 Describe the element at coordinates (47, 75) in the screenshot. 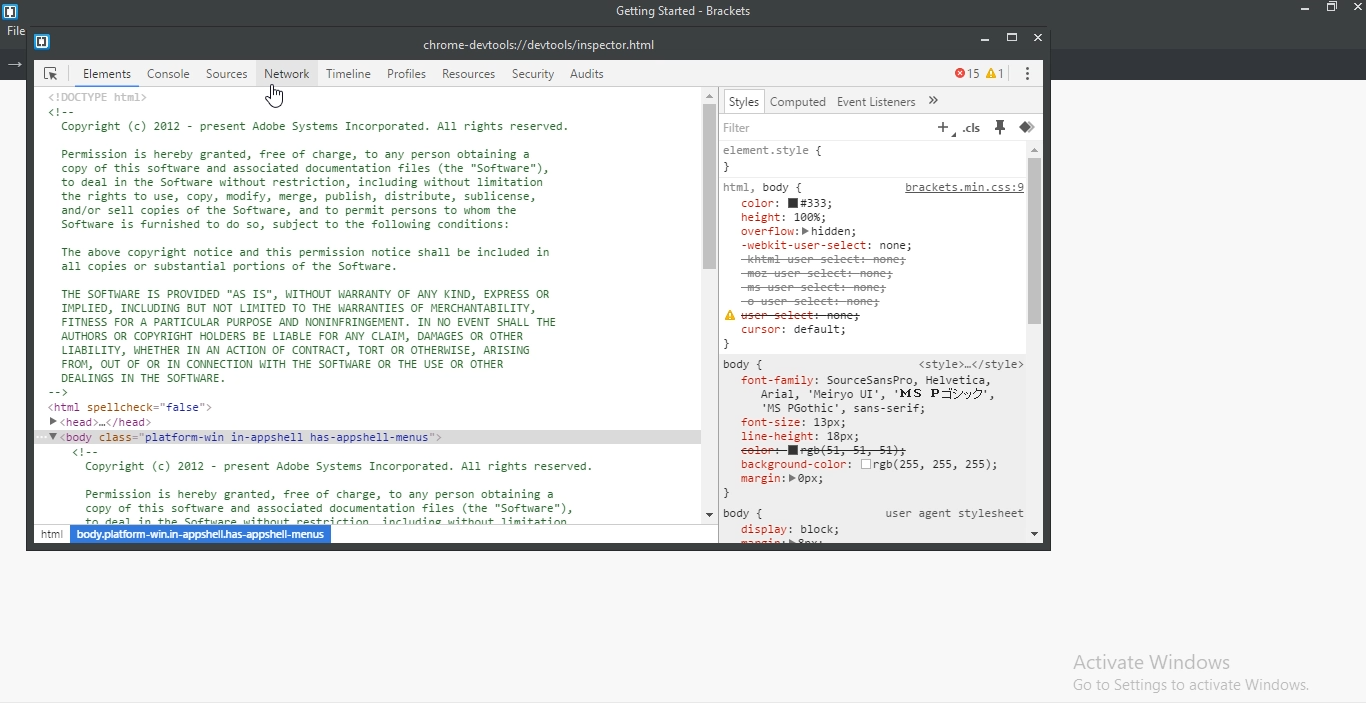

I see `icon` at that location.